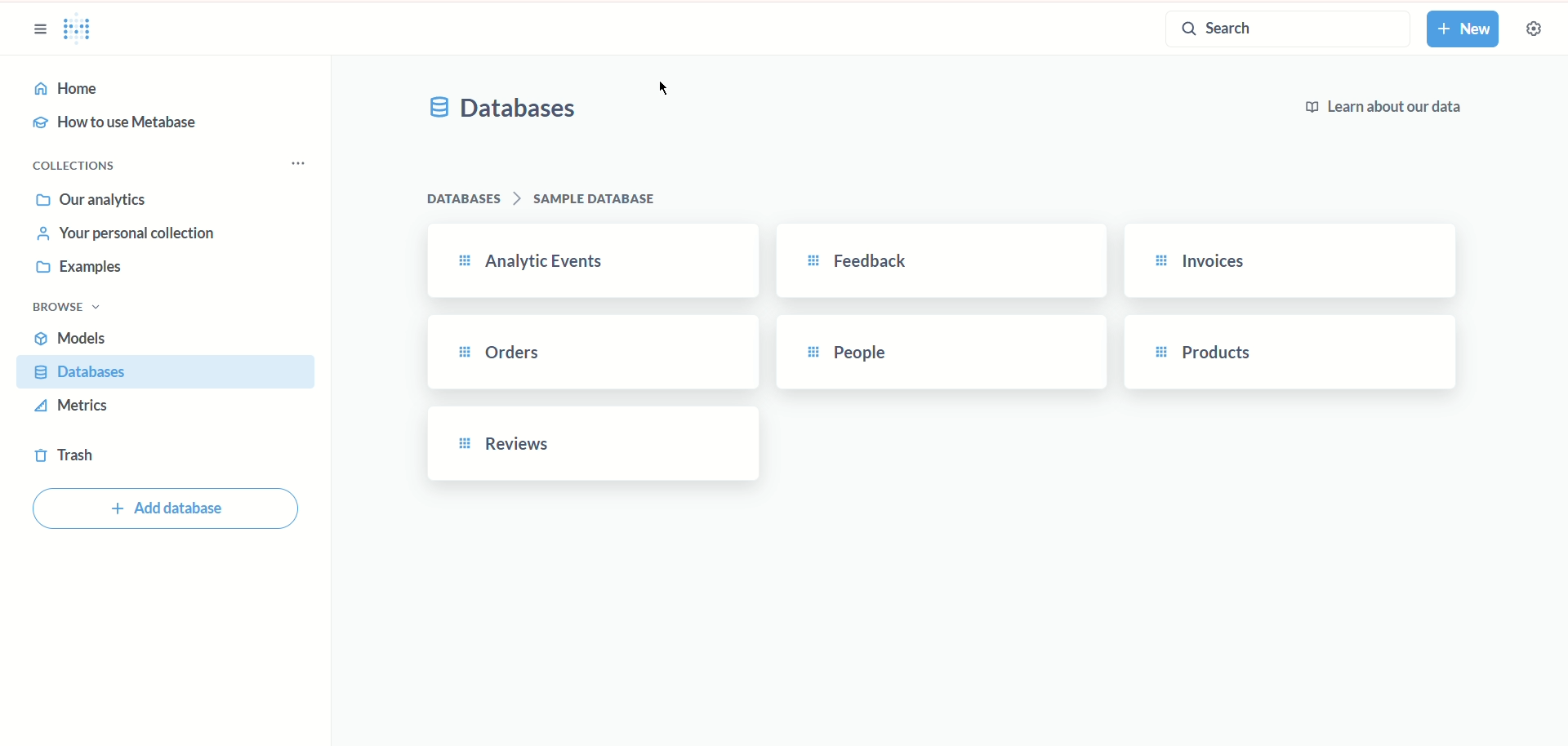  Describe the element at coordinates (81, 269) in the screenshot. I see `examples` at that location.